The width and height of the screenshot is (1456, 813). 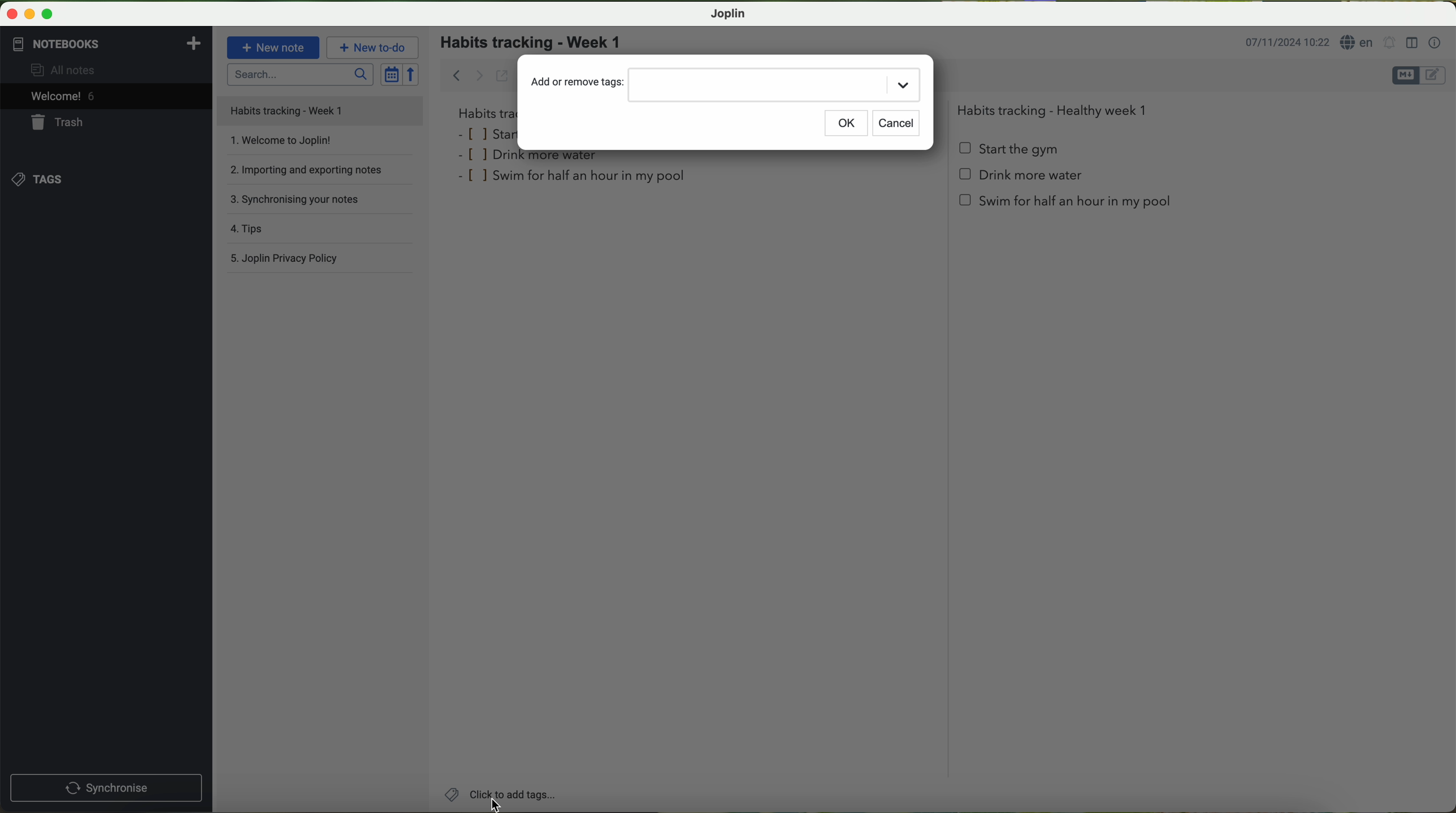 I want to click on toggle external editing, so click(x=502, y=75).